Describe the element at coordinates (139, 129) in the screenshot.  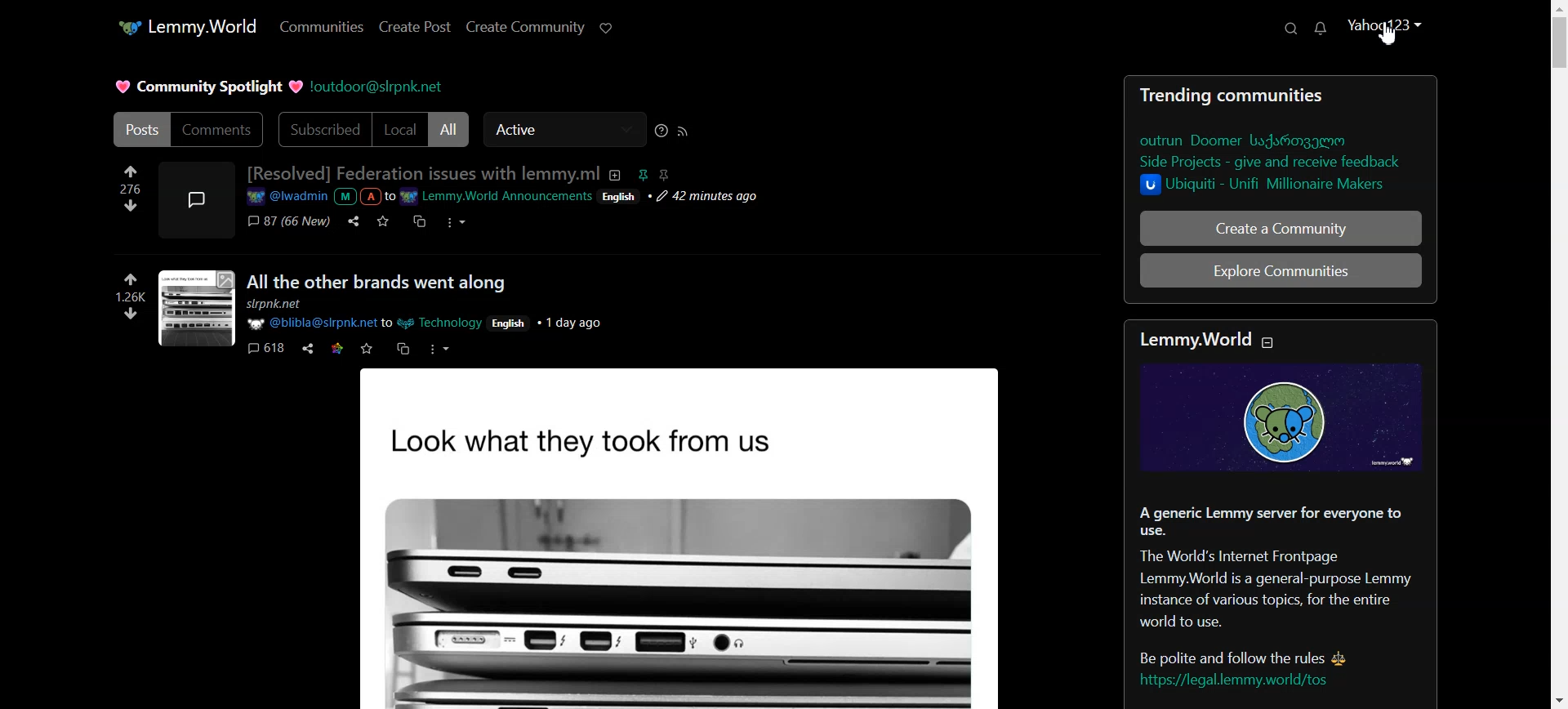
I see `Posts` at that location.